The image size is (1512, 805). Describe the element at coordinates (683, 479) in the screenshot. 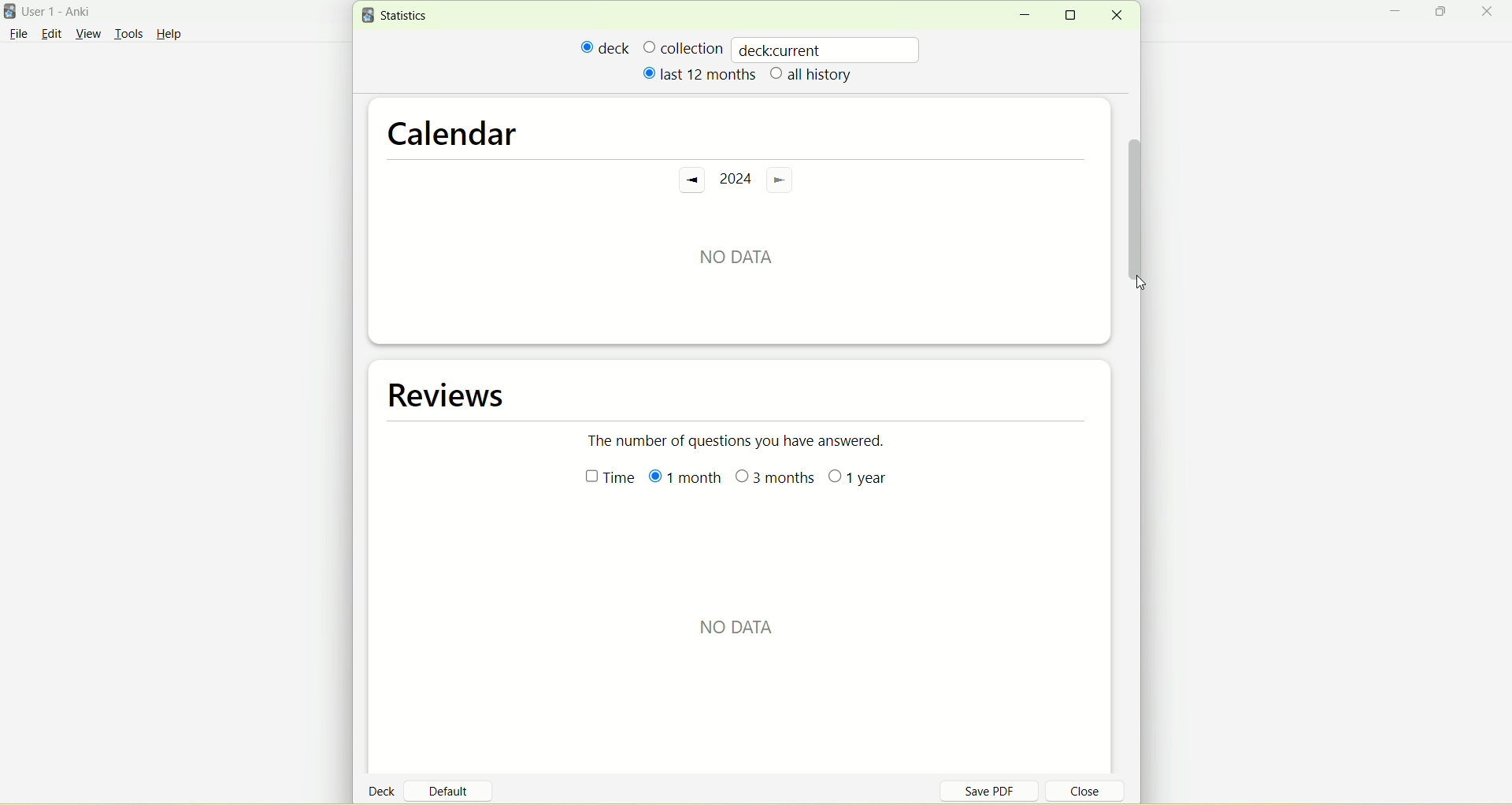

I see ` month` at that location.